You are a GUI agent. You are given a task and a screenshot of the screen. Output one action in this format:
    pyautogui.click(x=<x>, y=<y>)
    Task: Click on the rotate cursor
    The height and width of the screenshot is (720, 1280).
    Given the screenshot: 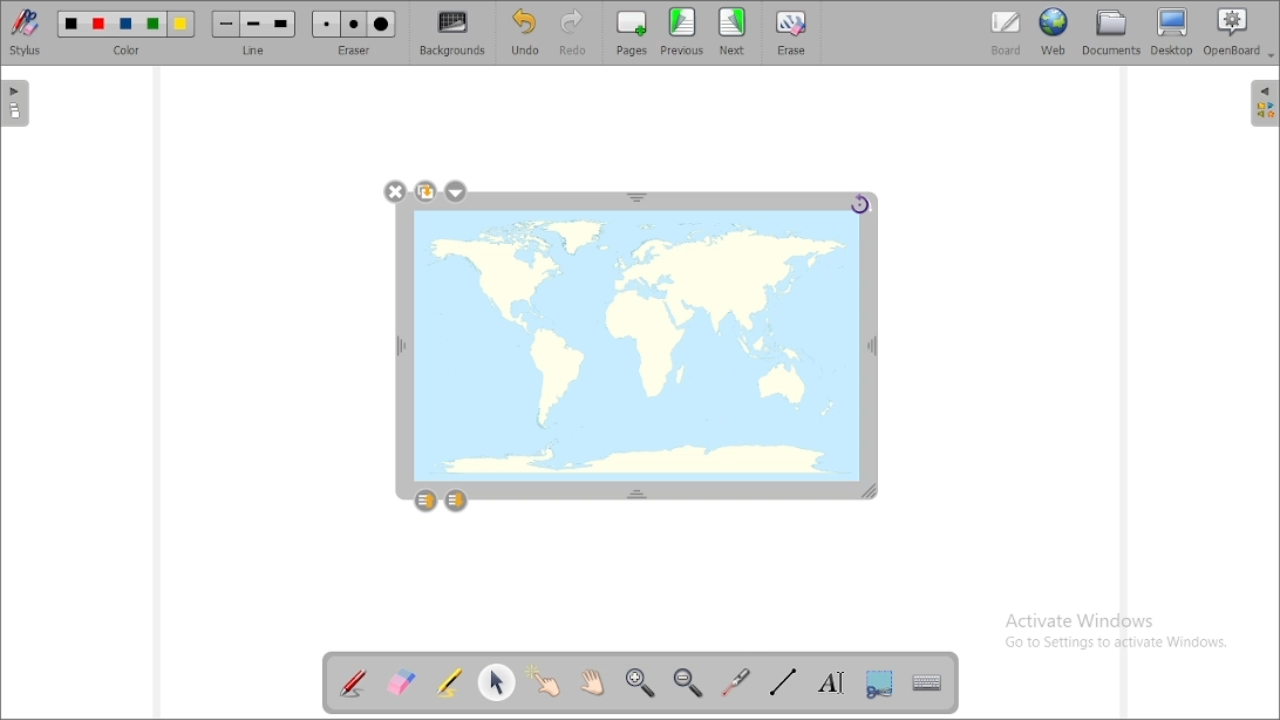 What is the action you would take?
    pyautogui.click(x=862, y=205)
    